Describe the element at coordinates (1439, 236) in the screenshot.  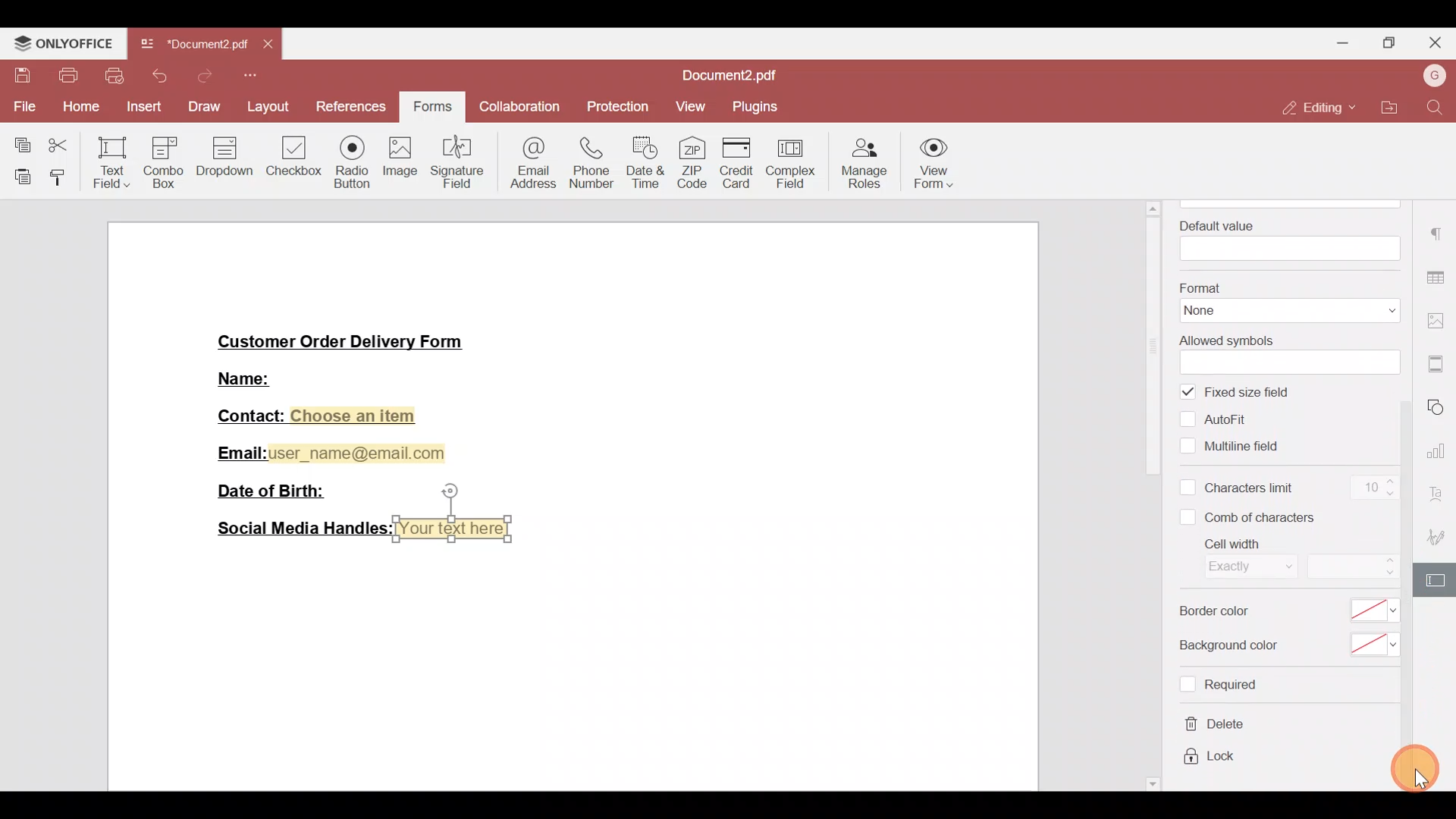
I see `Paragraph settings` at that location.